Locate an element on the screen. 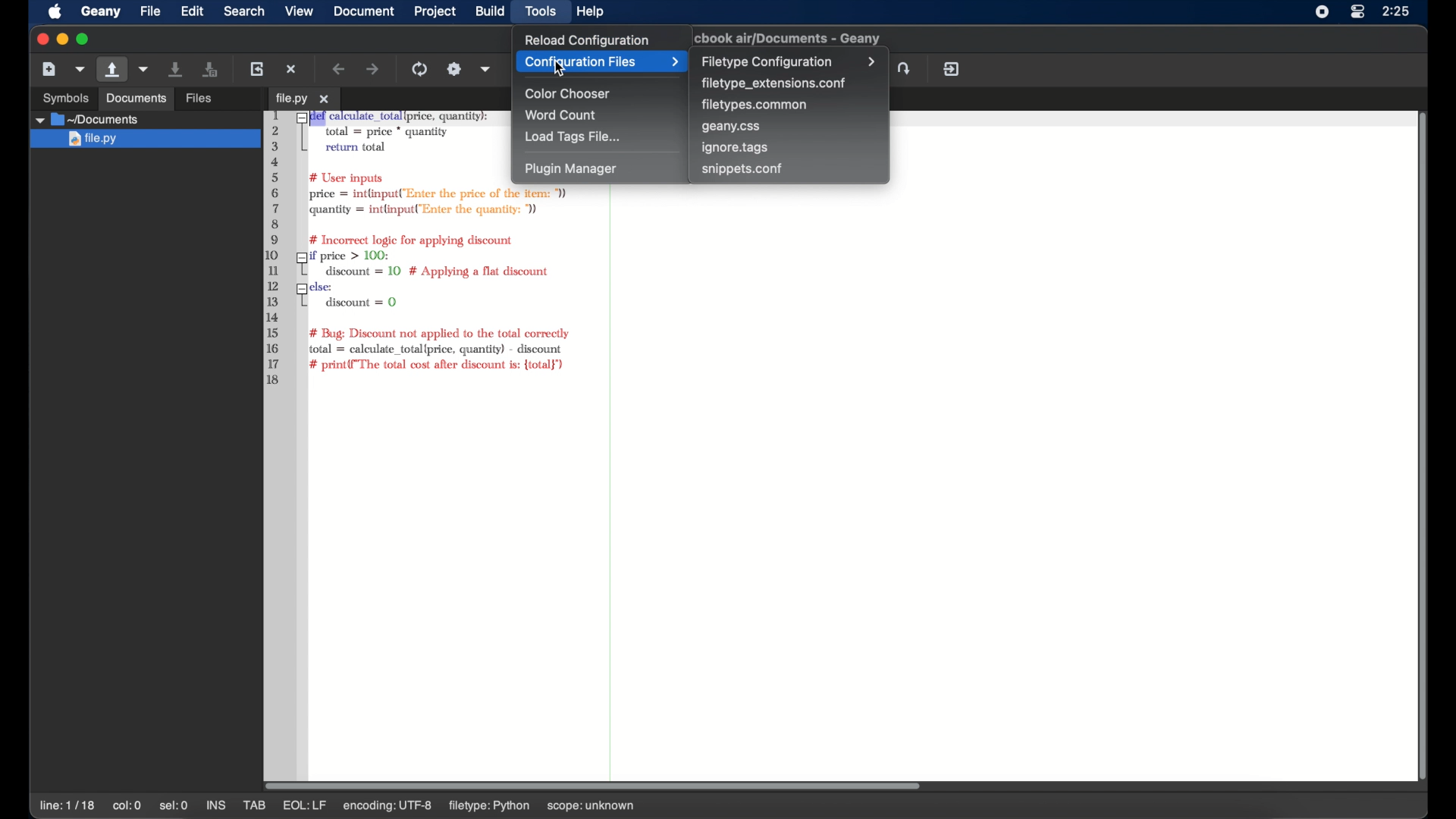 The image size is (1456, 819). line: 17/18 is located at coordinates (69, 806).